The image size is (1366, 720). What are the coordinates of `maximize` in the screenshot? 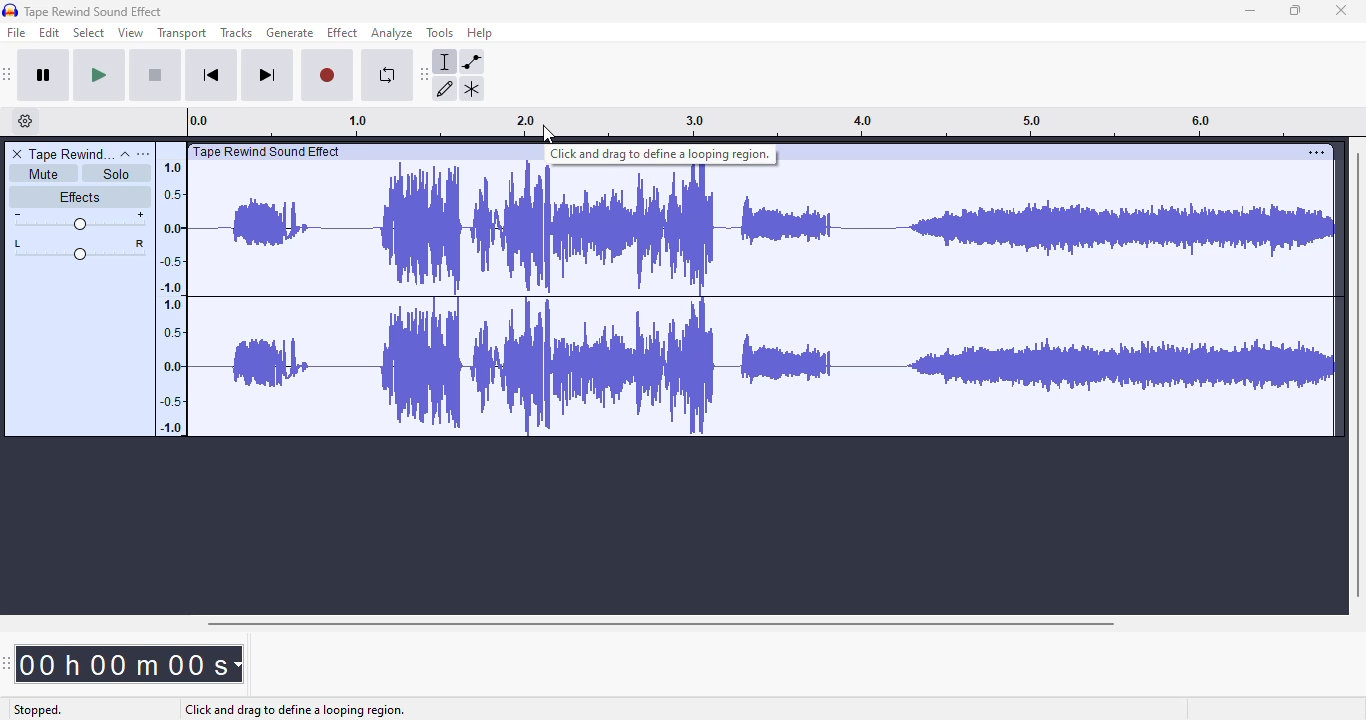 It's located at (1297, 10).